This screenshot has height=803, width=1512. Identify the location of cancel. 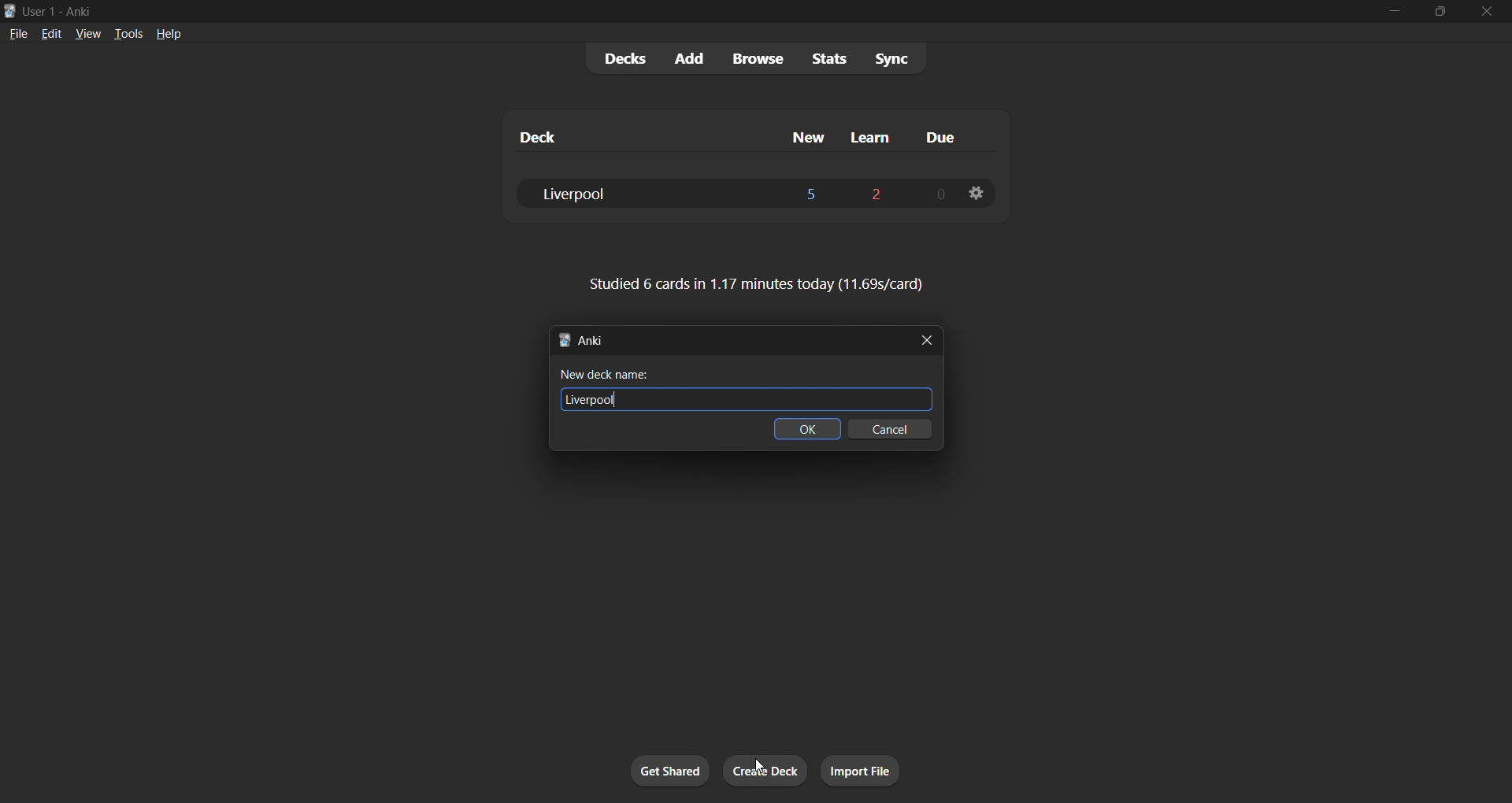
(888, 434).